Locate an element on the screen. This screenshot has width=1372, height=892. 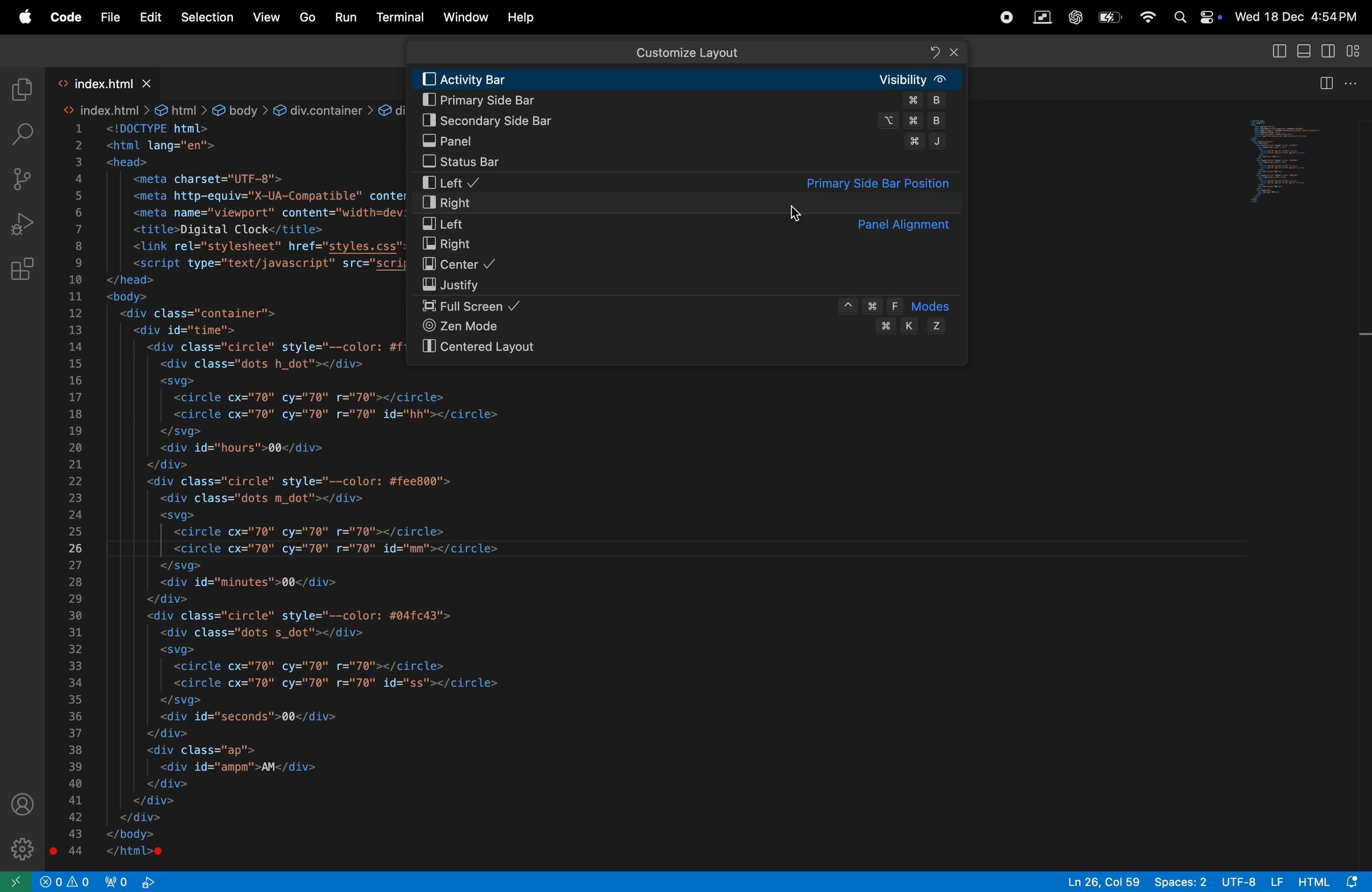
view port is located at coordinates (67, 880).